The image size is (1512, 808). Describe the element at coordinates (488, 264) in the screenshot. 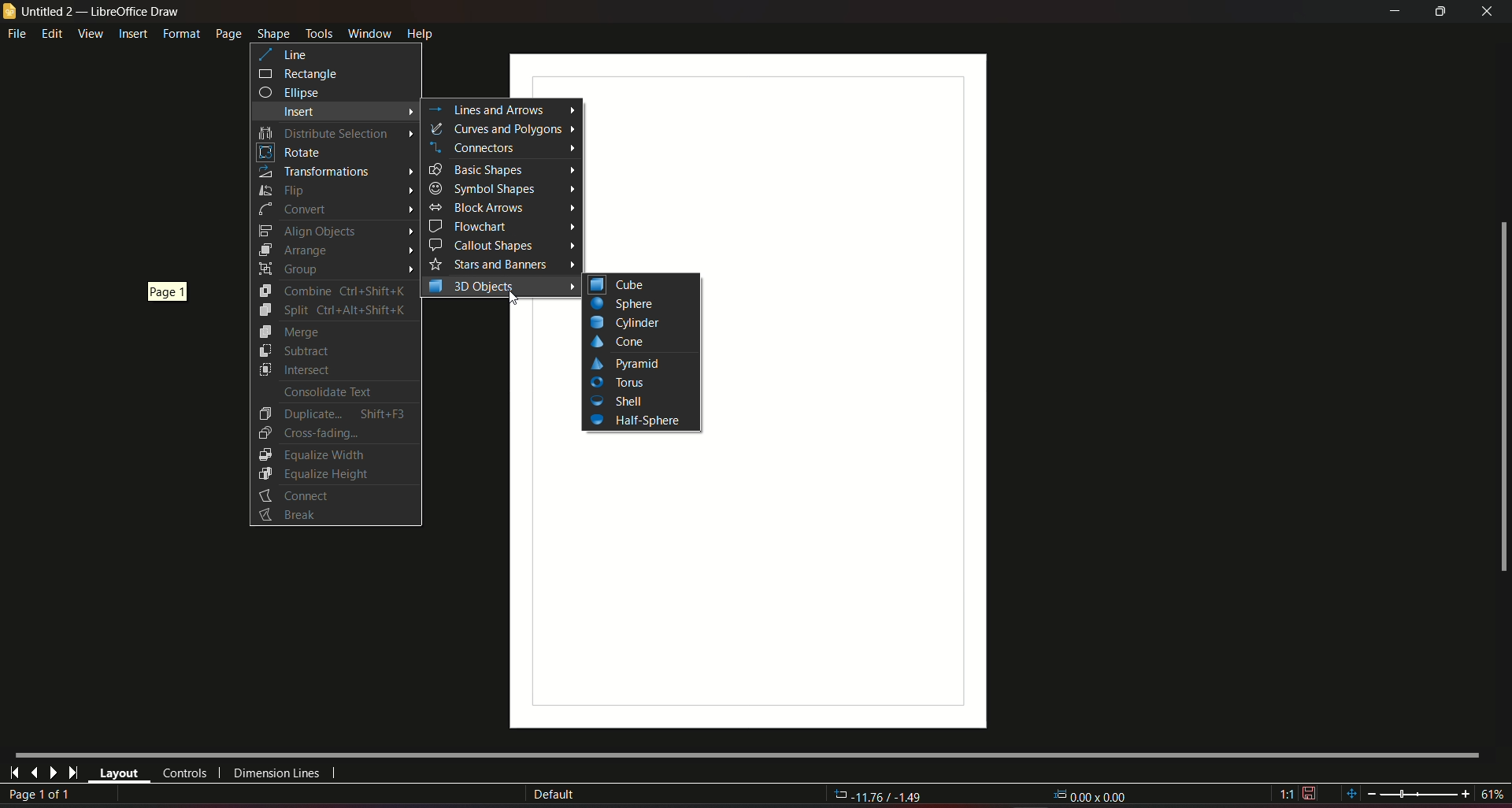

I see `Stars and Banners` at that location.